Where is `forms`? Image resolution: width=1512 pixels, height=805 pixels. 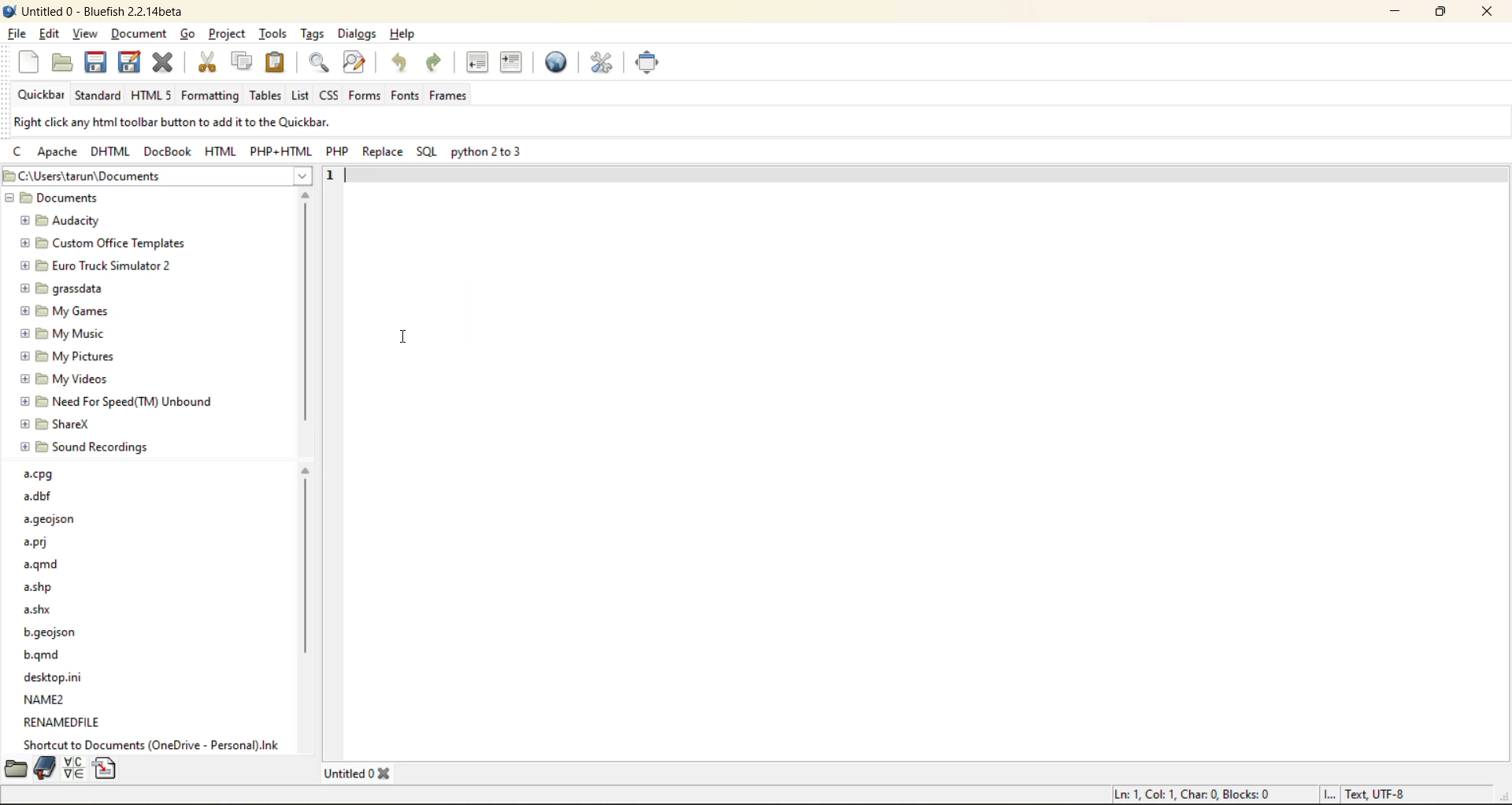 forms is located at coordinates (365, 96).